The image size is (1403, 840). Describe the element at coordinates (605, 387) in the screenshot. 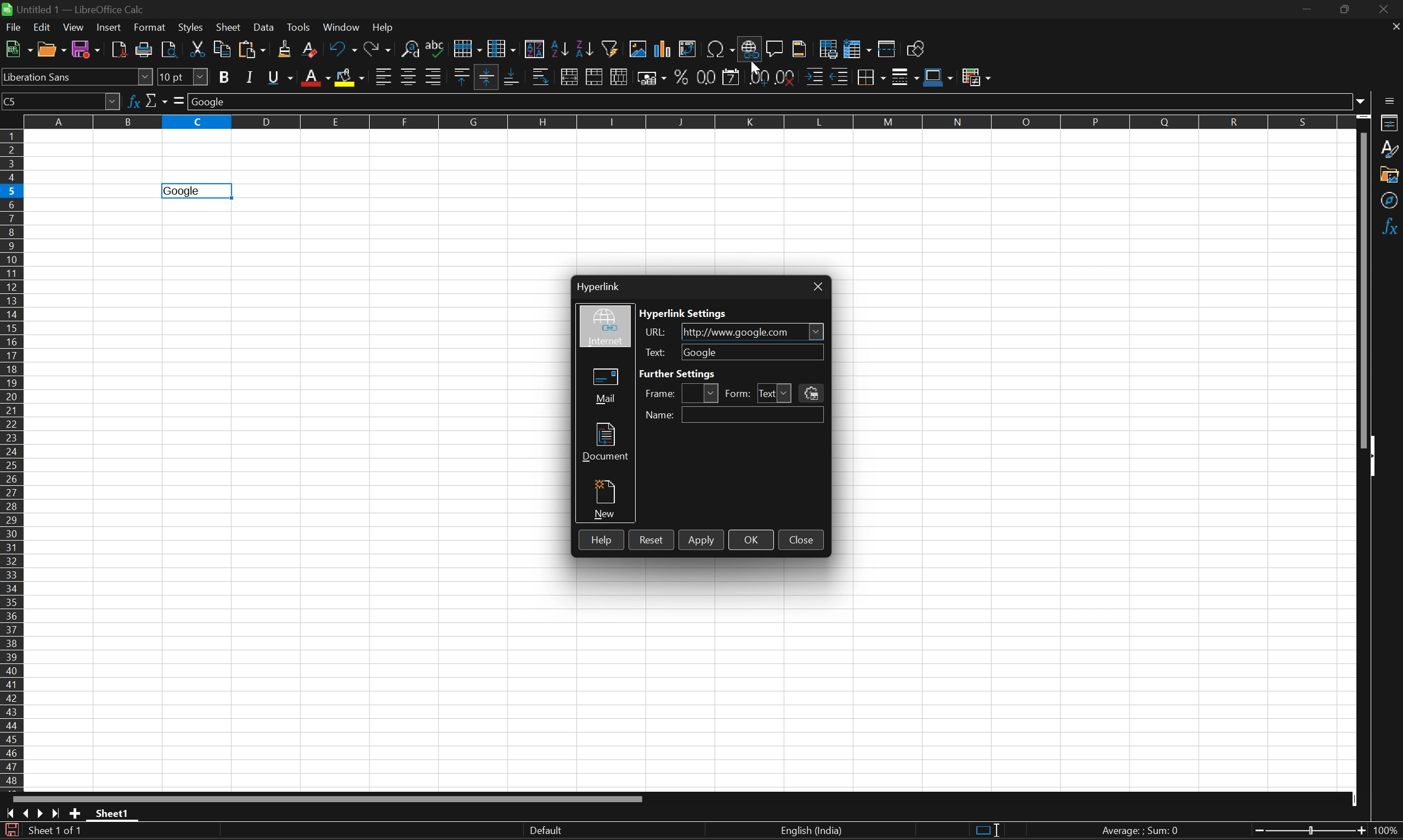

I see `Mail` at that location.